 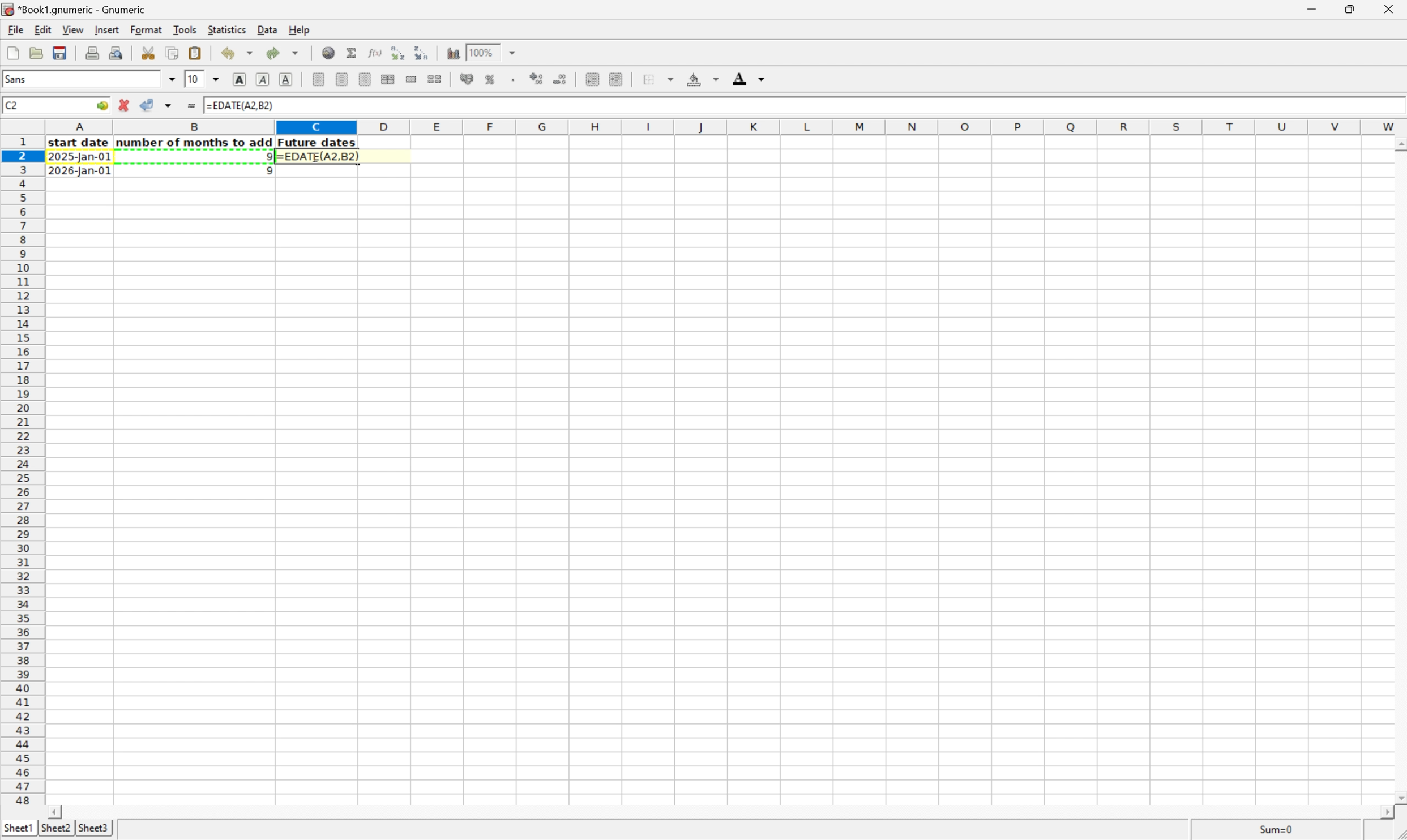 What do you see at coordinates (1398, 796) in the screenshot?
I see `Scroll Down` at bounding box center [1398, 796].